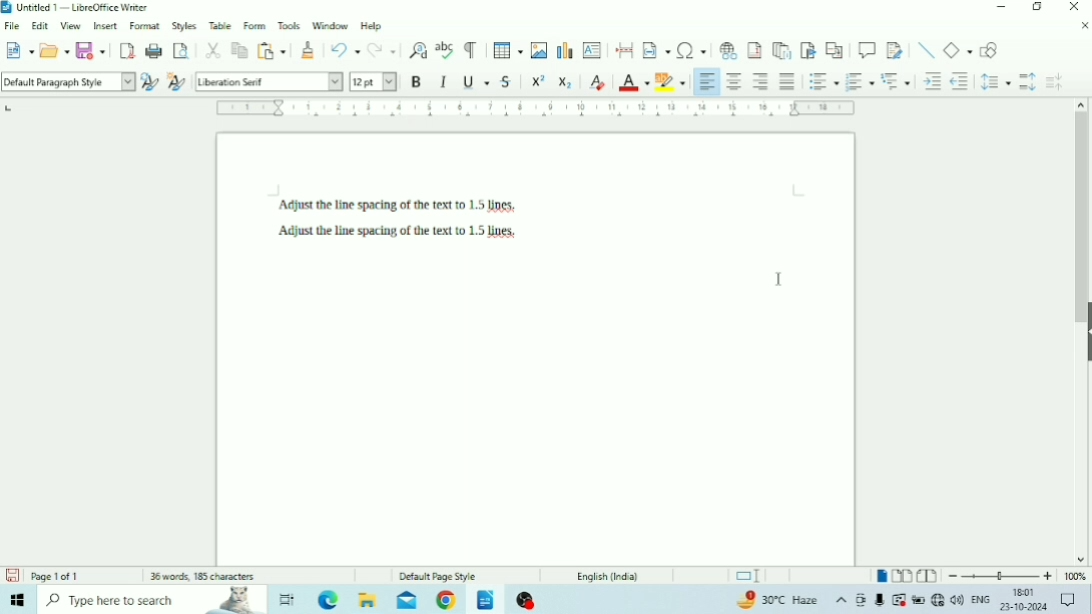 The height and width of the screenshot is (614, 1092). I want to click on Insert Comment, so click(867, 50).